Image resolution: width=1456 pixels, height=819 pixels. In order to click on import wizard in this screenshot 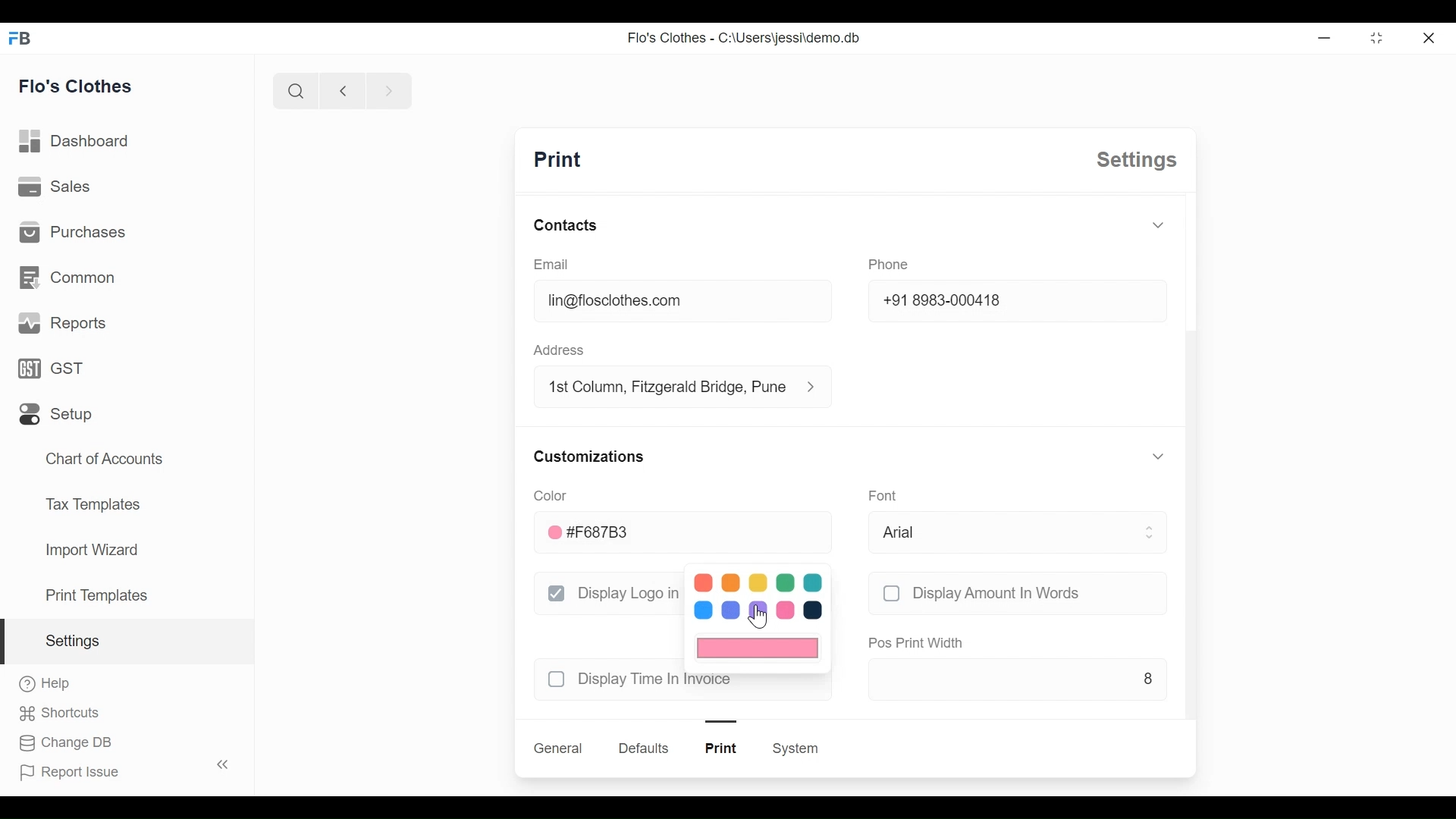, I will do `click(91, 550)`.